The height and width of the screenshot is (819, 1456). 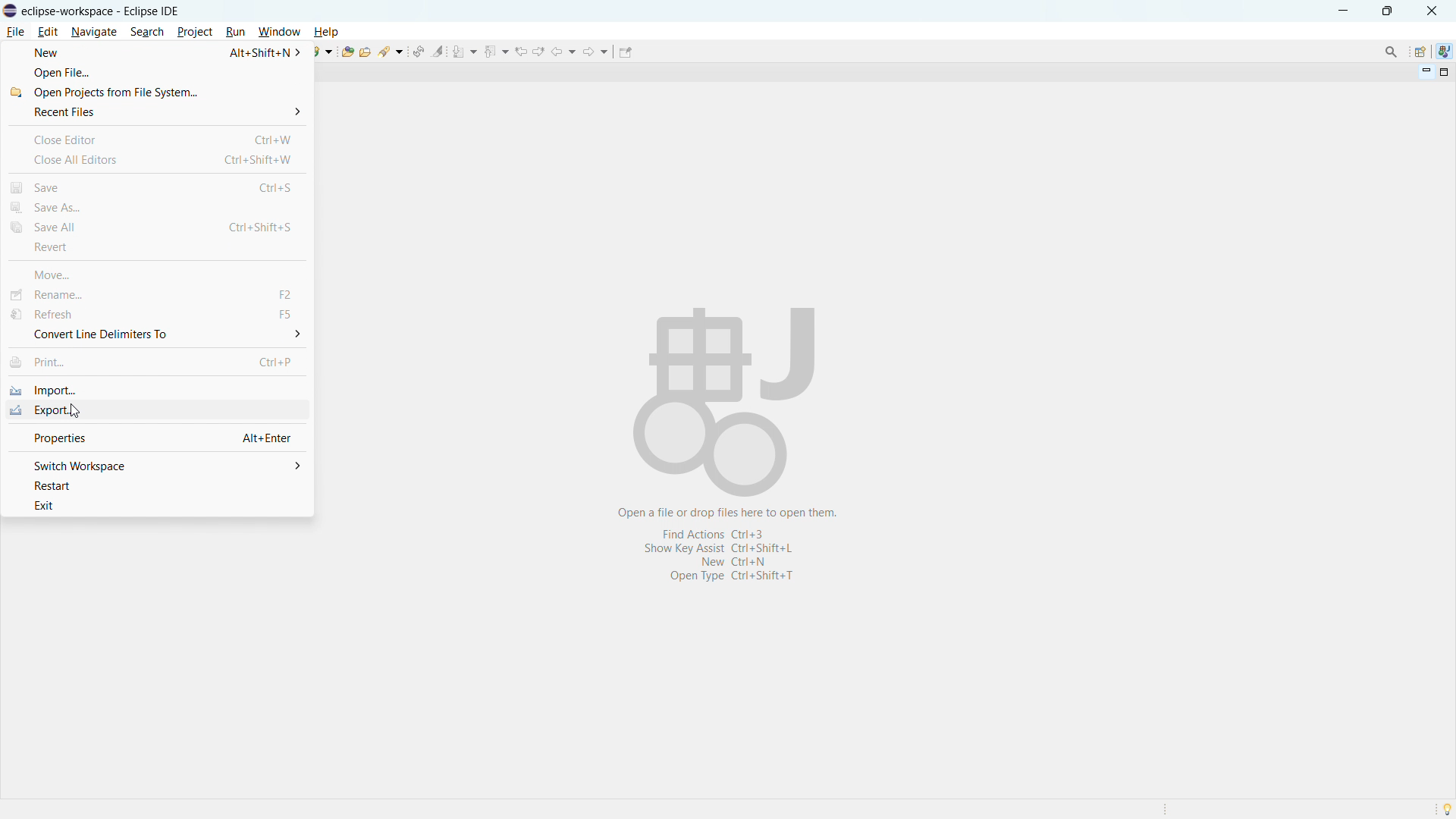 What do you see at coordinates (157, 335) in the screenshot?
I see `convert line delimiters to` at bounding box center [157, 335].